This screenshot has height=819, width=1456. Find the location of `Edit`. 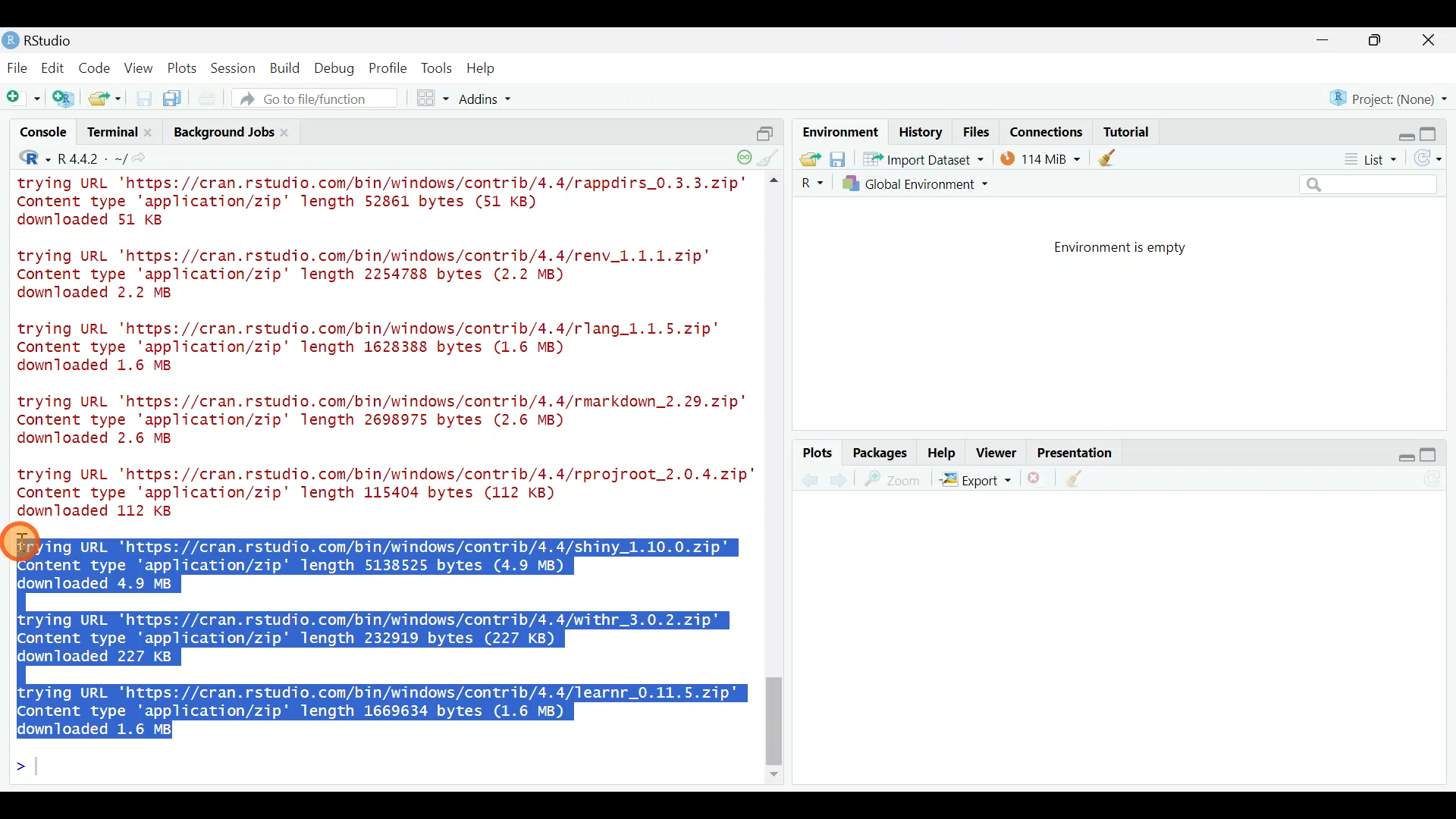

Edit is located at coordinates (55, 69).